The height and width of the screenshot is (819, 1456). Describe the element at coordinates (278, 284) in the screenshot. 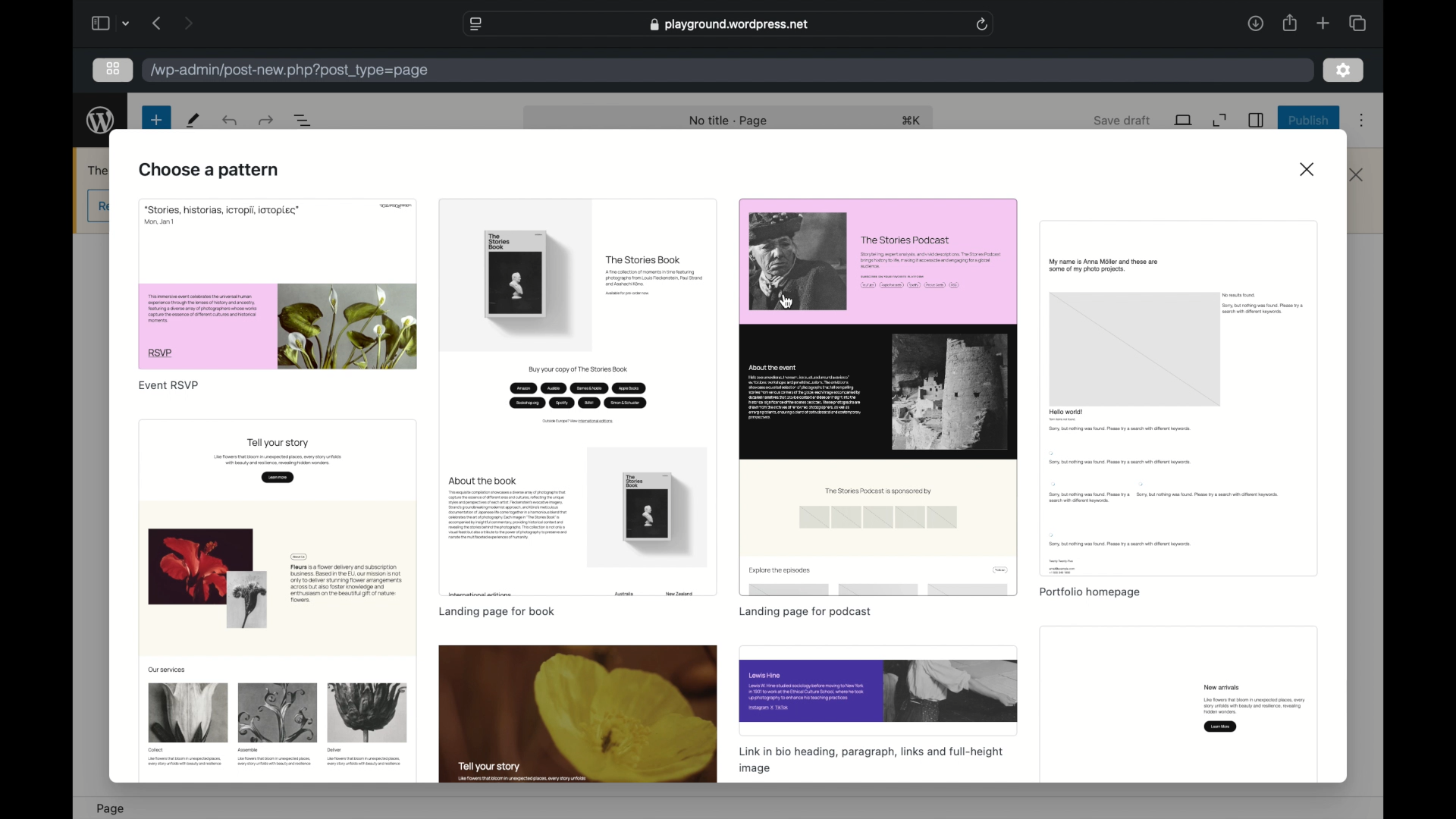

I see `preview` at that location.